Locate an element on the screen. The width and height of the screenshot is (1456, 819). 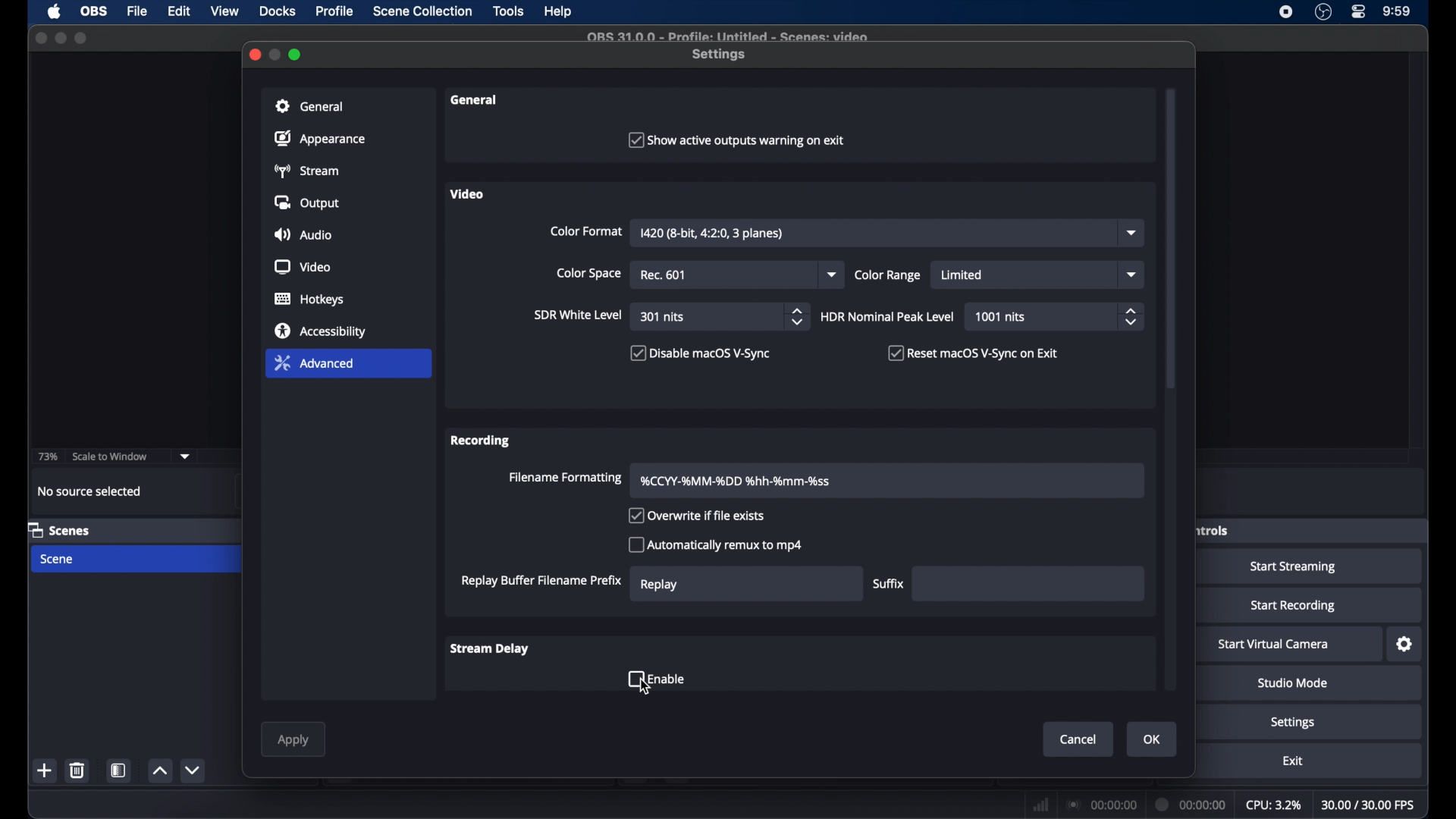
checkbox is located at coordinates (701, 354).